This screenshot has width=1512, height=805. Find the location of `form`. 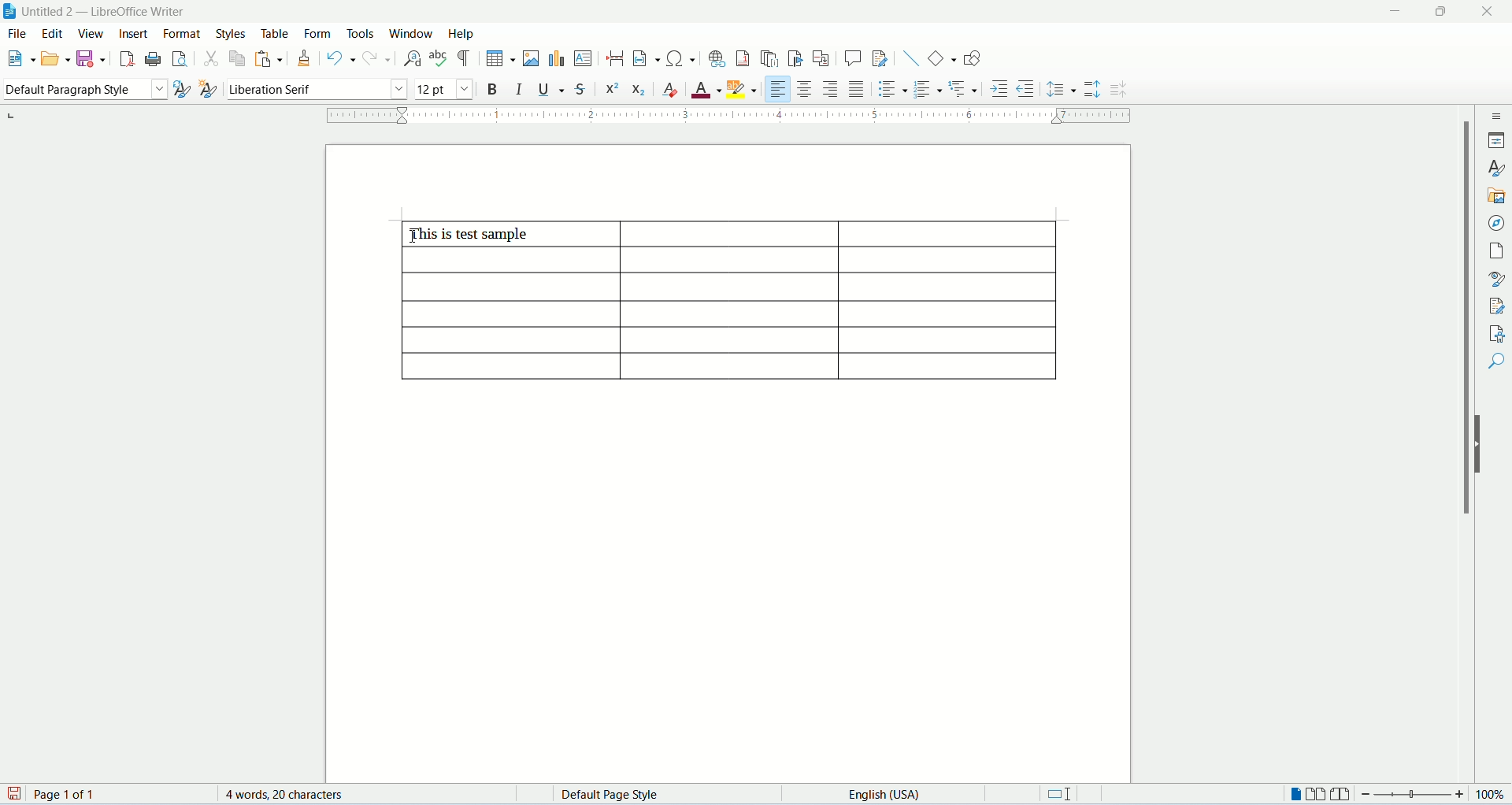

form is located at coordinates (322, 34).